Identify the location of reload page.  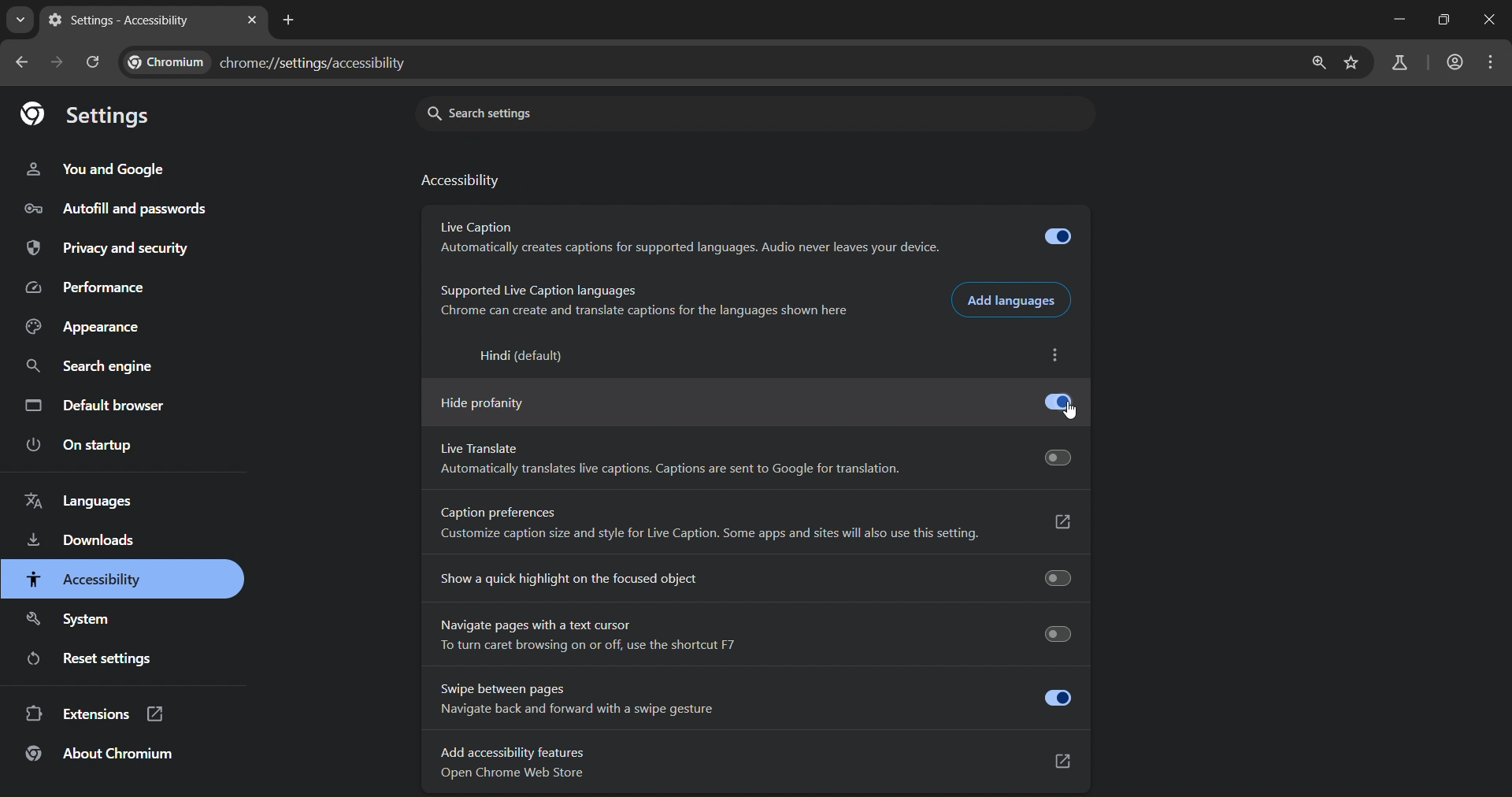
(91, 62).